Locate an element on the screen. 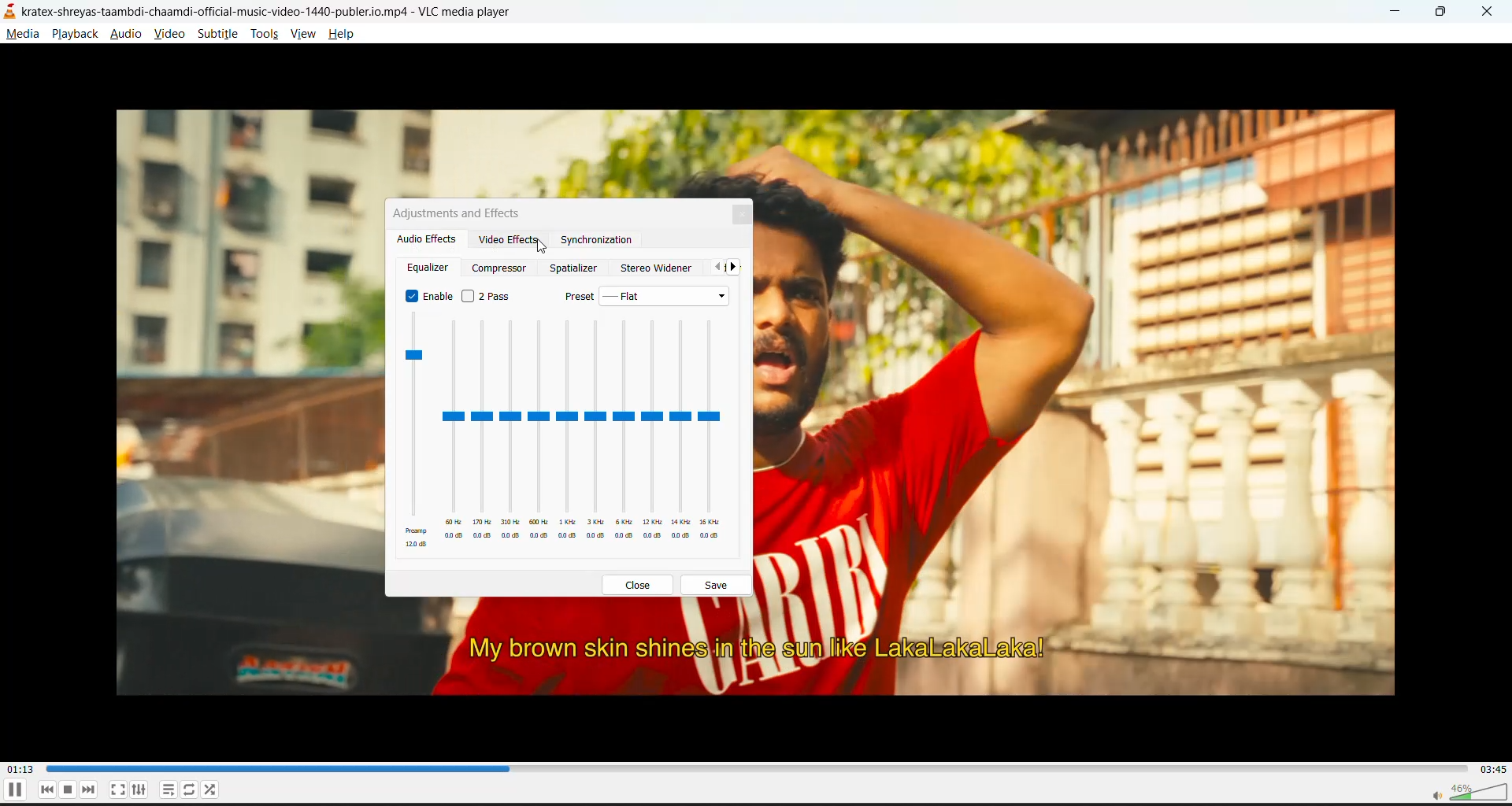 The height and width of the screenshot is (806, 1512). Image of a man is located at coordinates (1098, 359).